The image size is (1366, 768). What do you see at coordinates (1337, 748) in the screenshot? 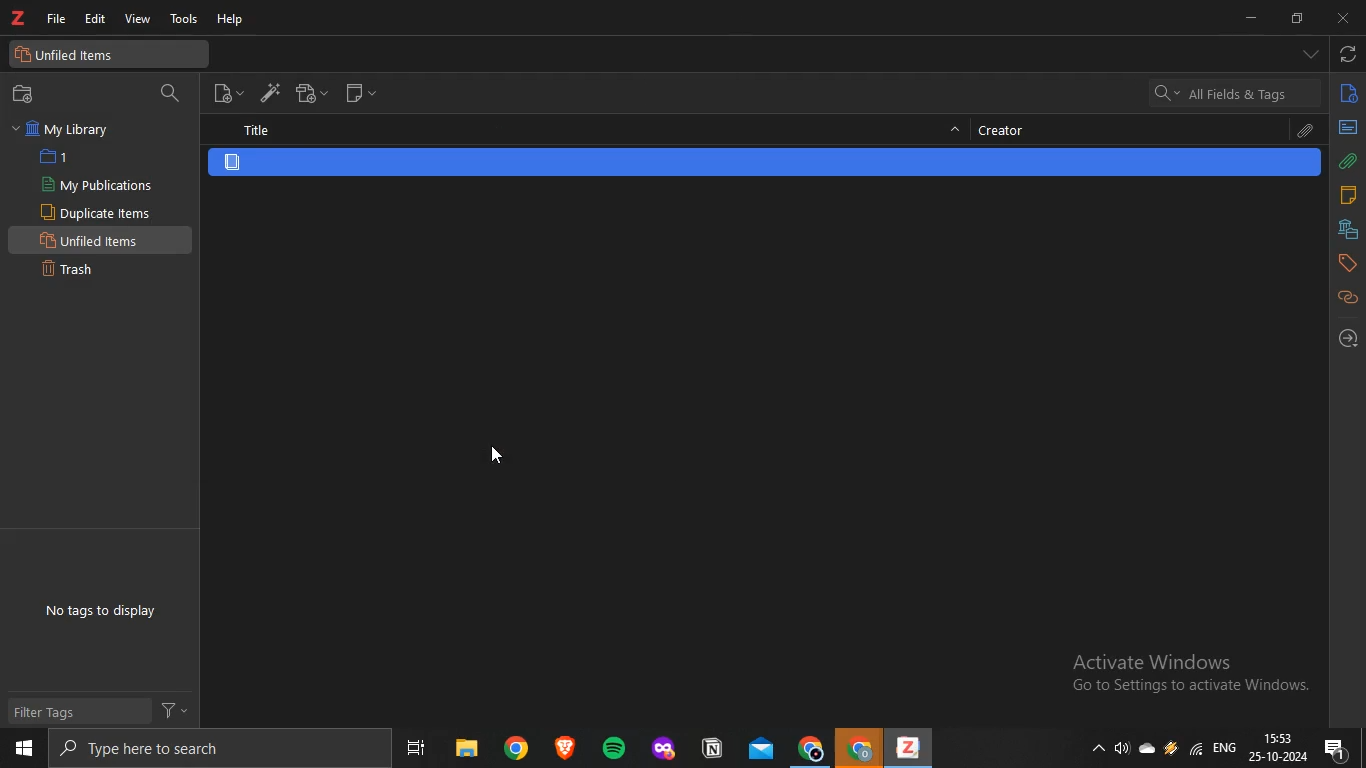
I see `notification` at bounding box center [1337, 748].